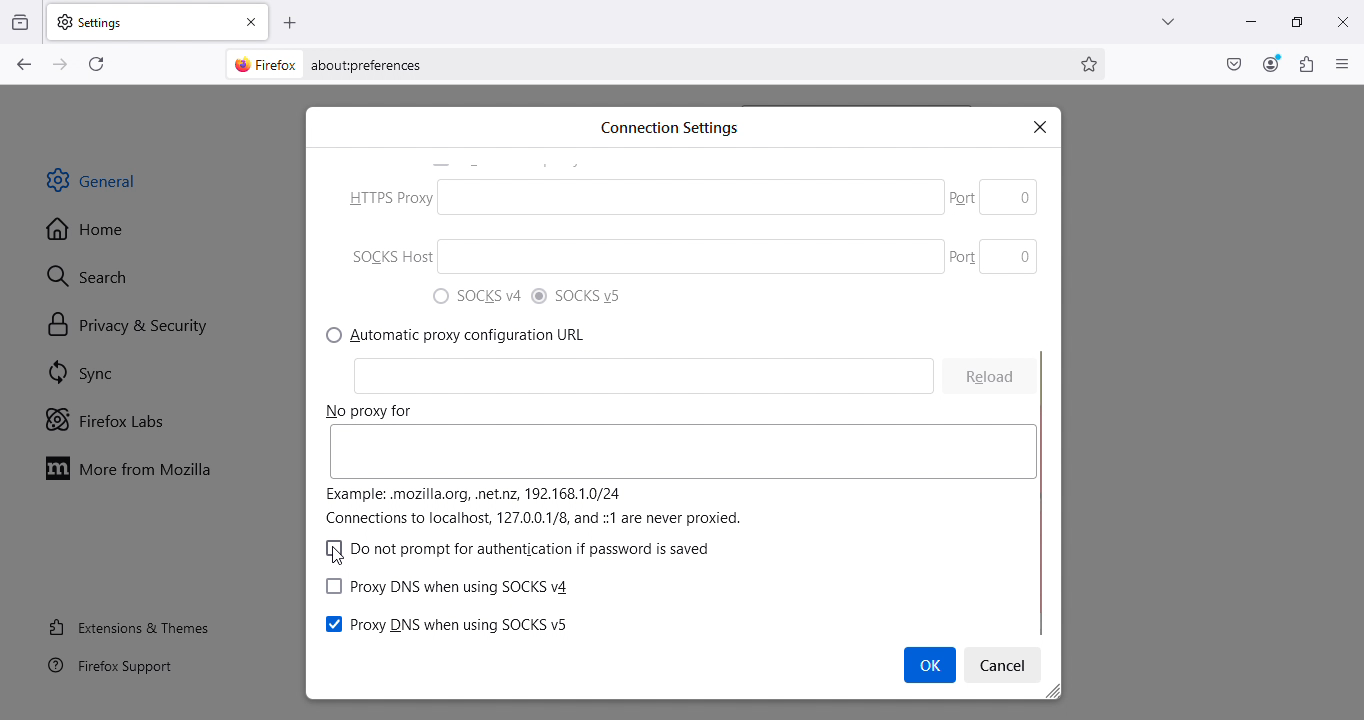 The width and height of the screenshot is (1364, 720). Describe the element at coordinates (142, 21) in the screenshot. I see `Settings` at that location.